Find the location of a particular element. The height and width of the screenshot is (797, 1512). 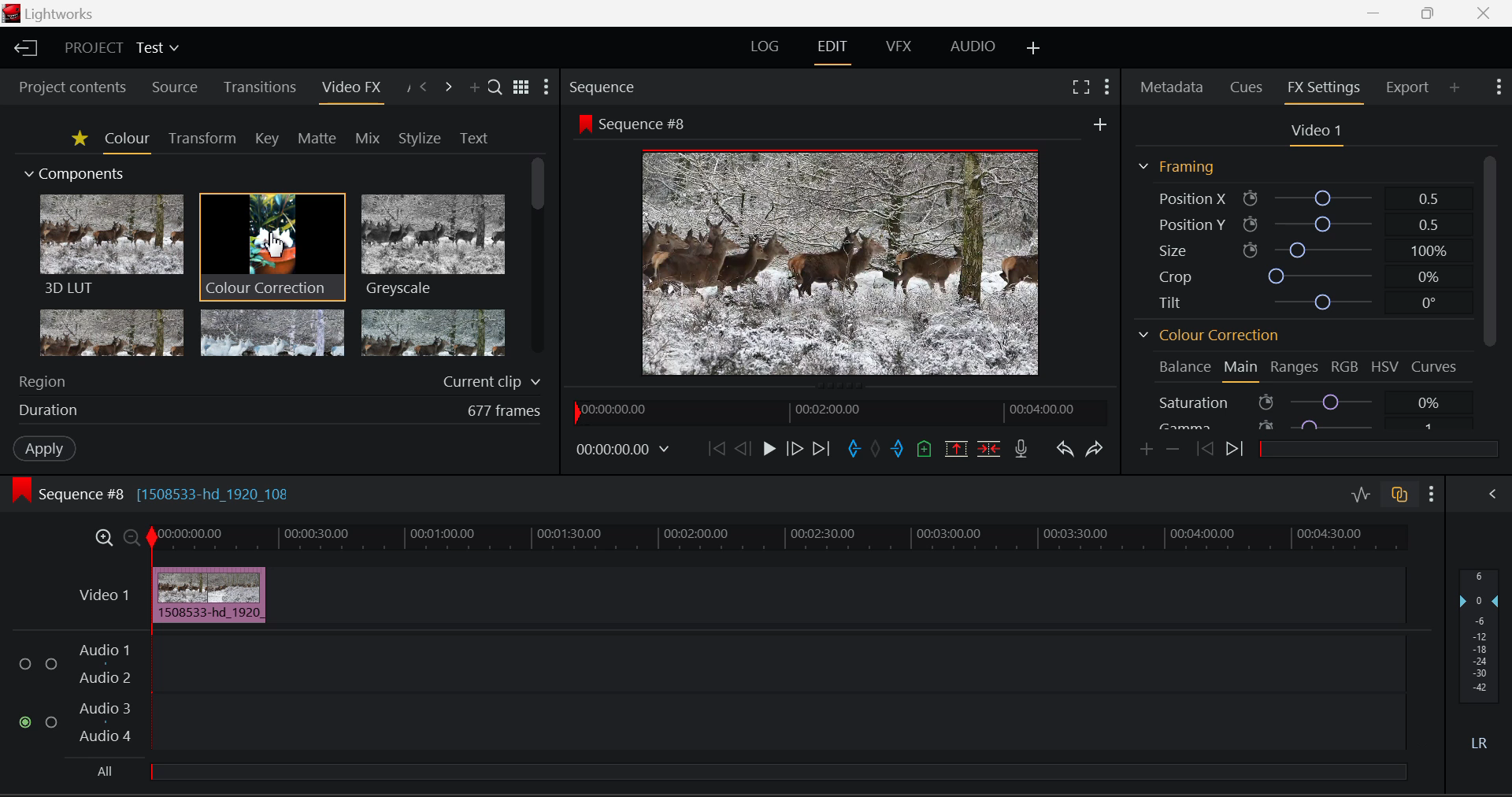

Mark Out is located at coordinates (898, 449).